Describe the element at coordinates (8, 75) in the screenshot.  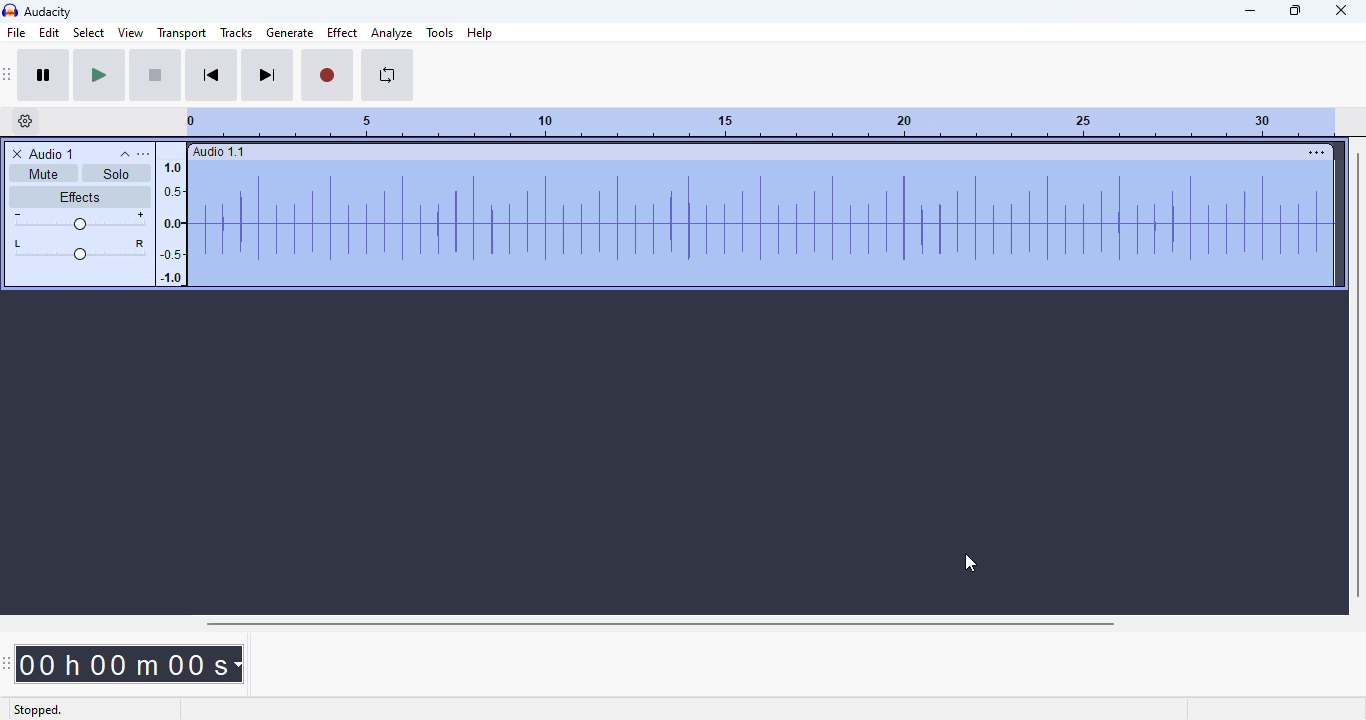
I see `audacity transport toolbar` at that location.